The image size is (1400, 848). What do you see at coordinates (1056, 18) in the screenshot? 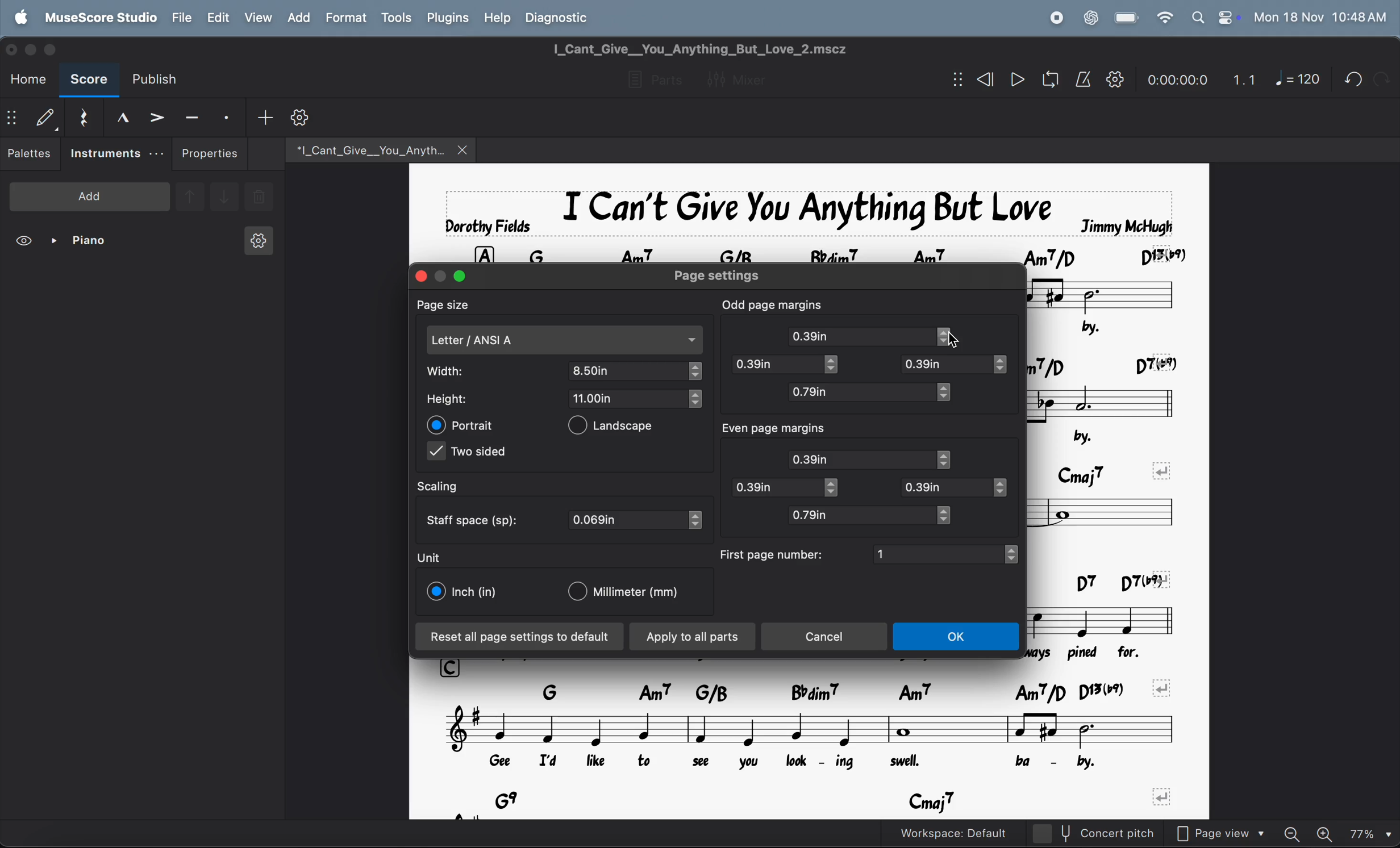
I see `record` at bounding box center [1056, 18].